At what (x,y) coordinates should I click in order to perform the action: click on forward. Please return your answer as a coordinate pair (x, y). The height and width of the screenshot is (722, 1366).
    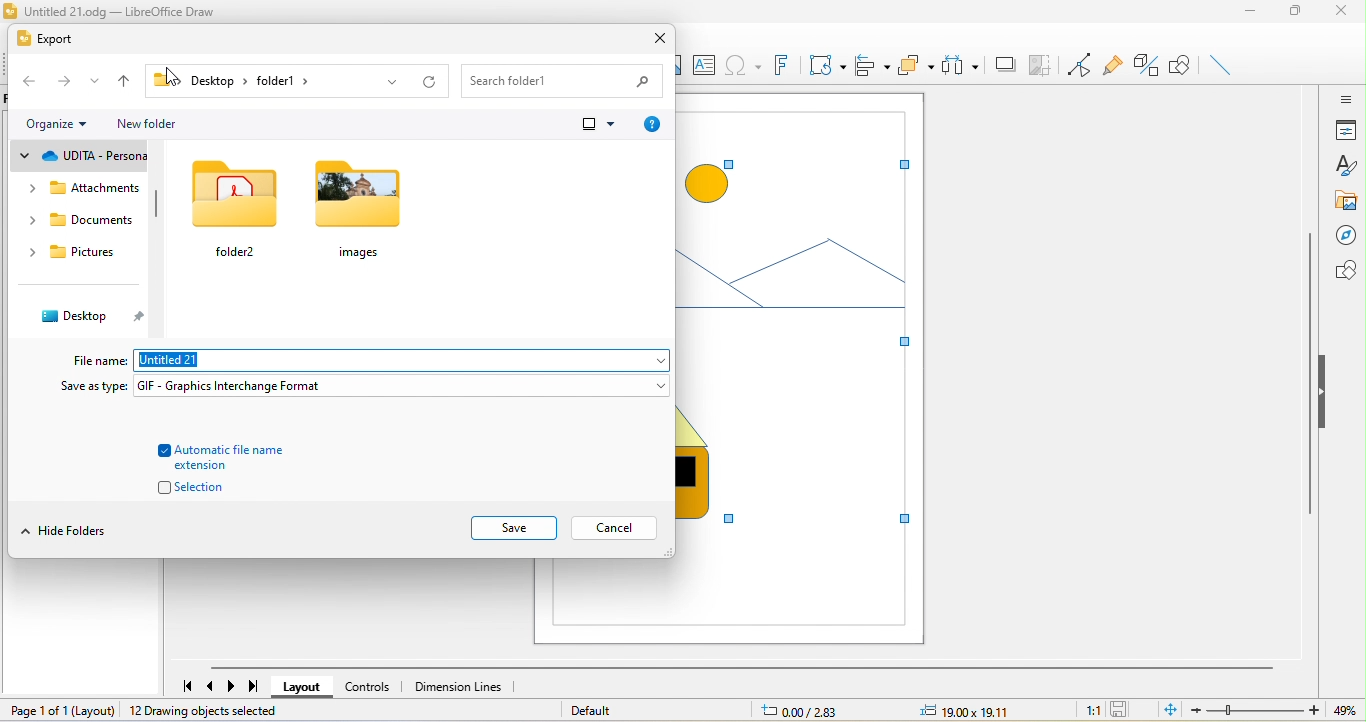
    Looking at the image, I should click on (67, 83).